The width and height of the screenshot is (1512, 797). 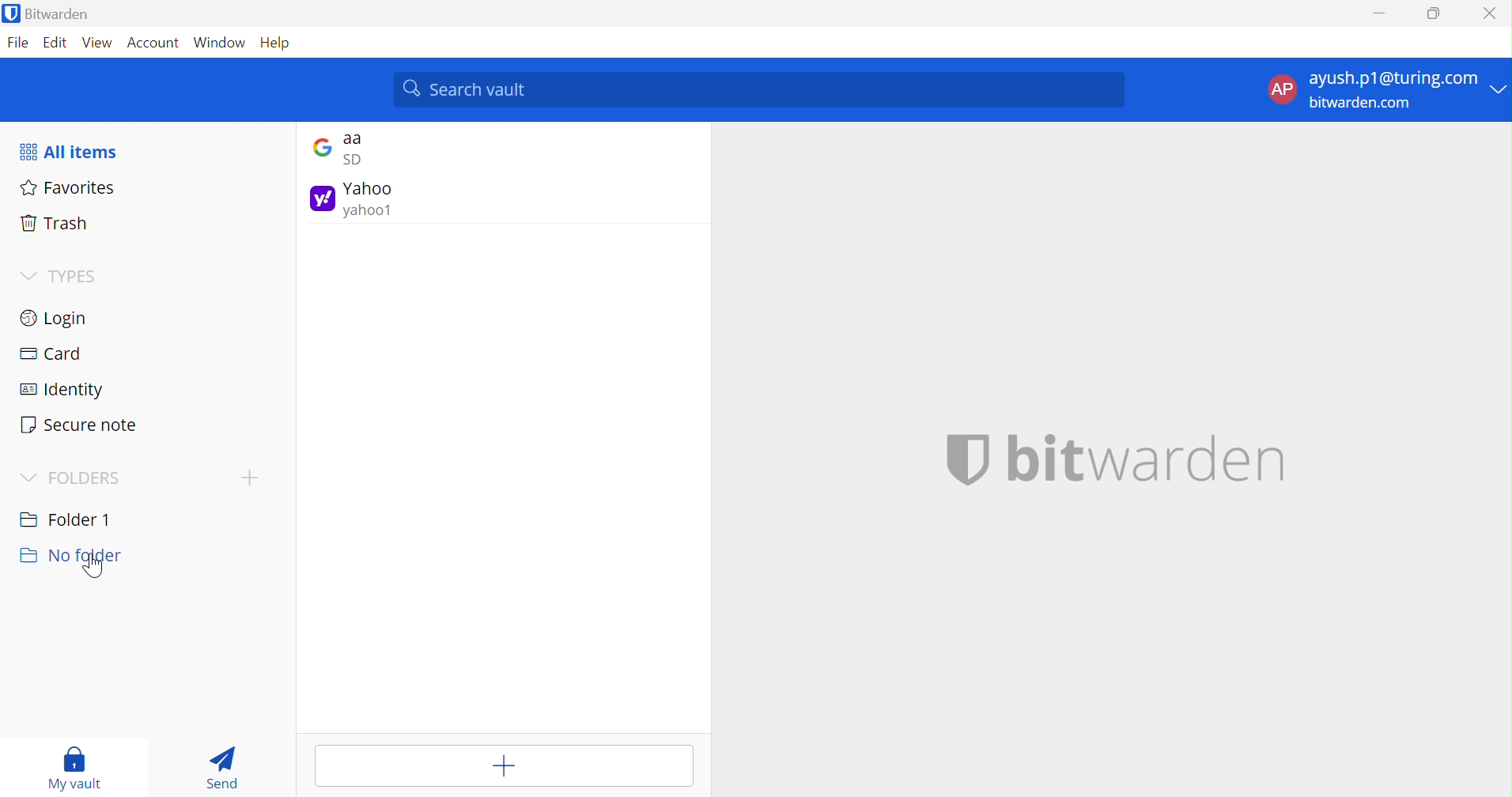 I want to click on google login entry, so click(x=484, y=146).